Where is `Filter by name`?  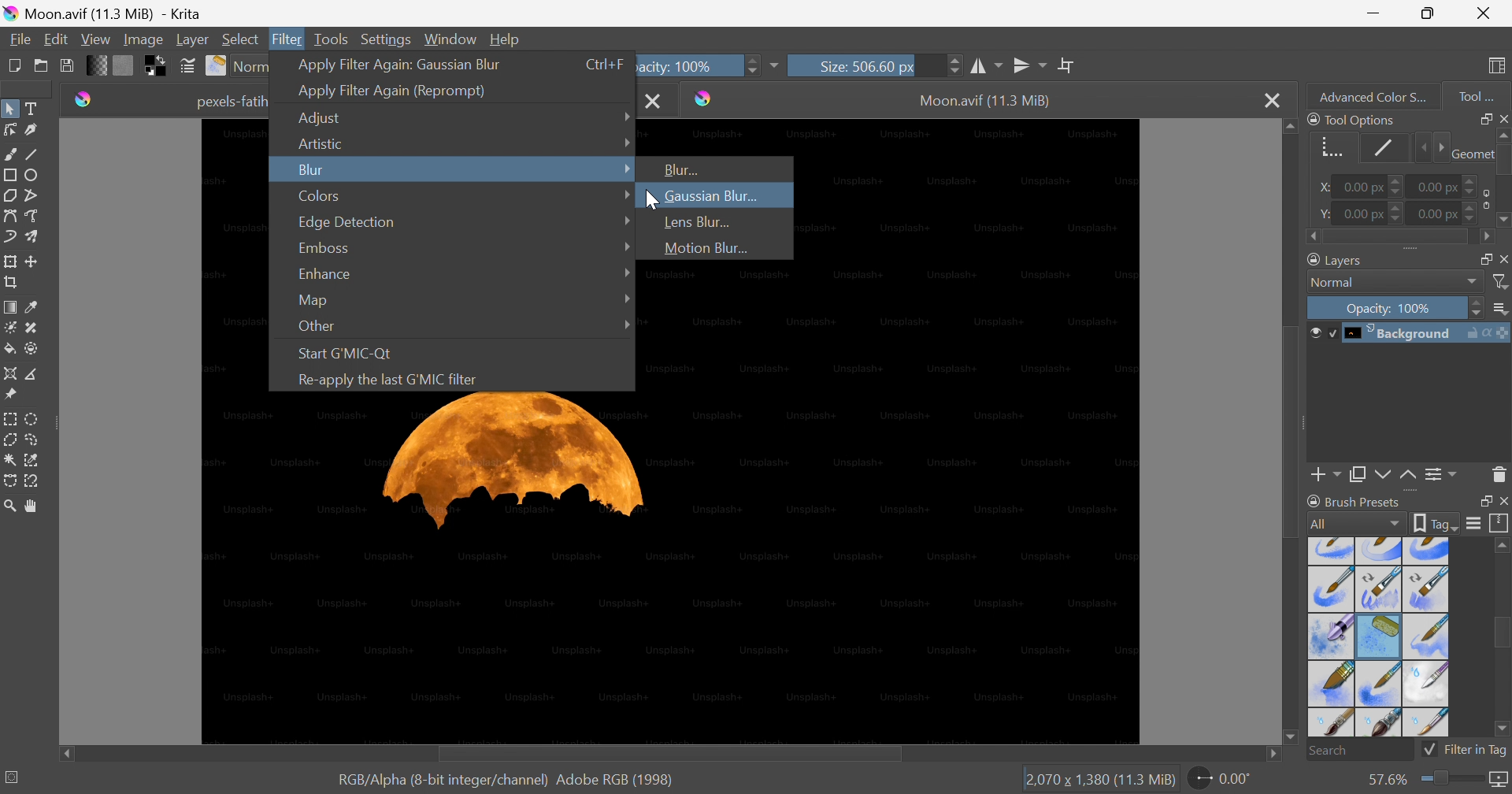 Filter by name is located at coordinates (1501, 280).